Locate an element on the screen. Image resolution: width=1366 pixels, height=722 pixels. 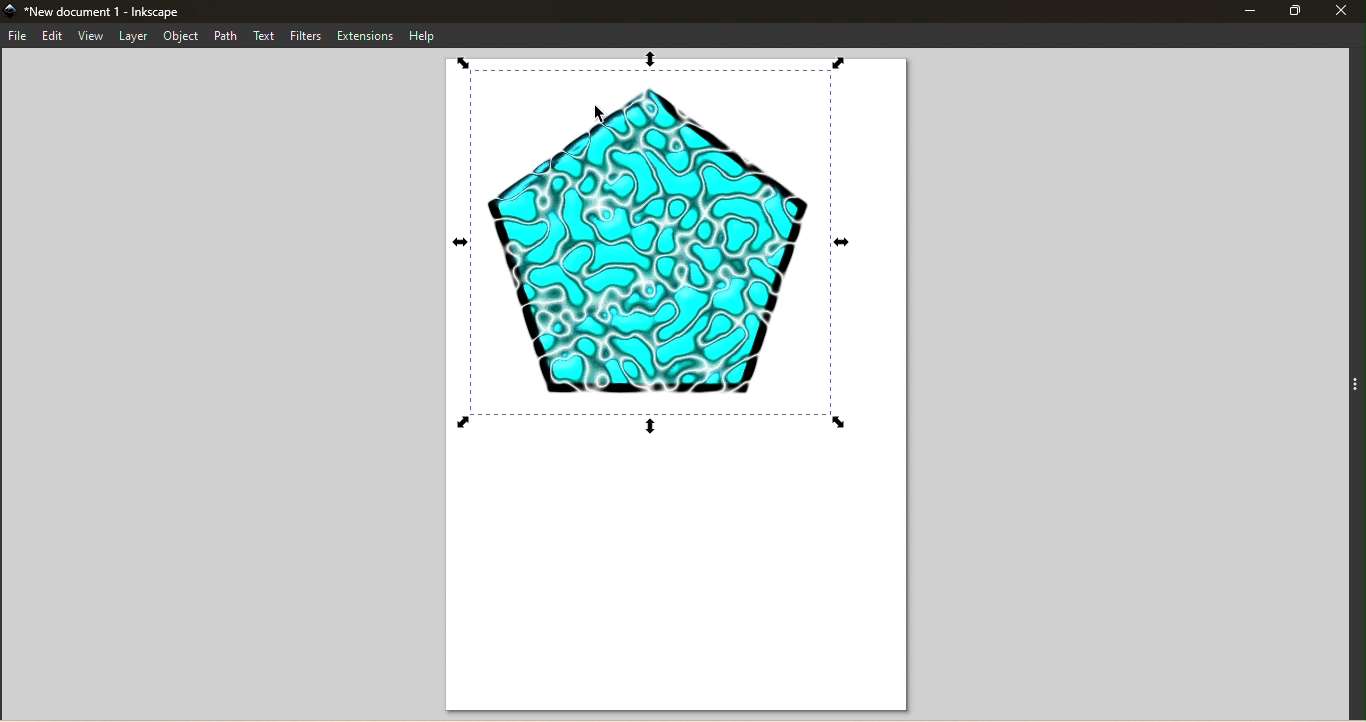
Extensions is located at coordinates (366, 35).